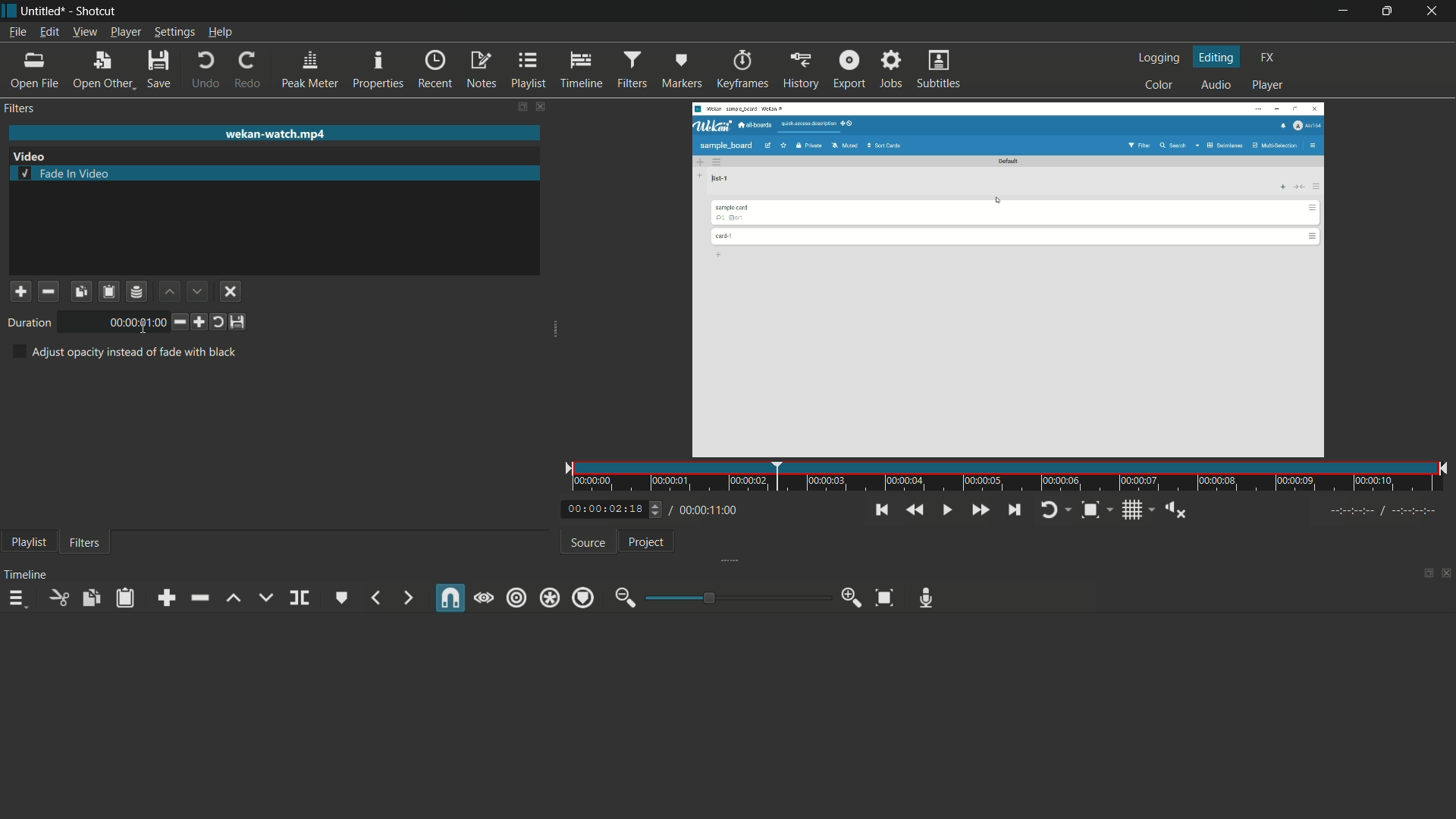  Describe the element at coordinates (435, 71) in the screenshot. I see `recent` at that location.